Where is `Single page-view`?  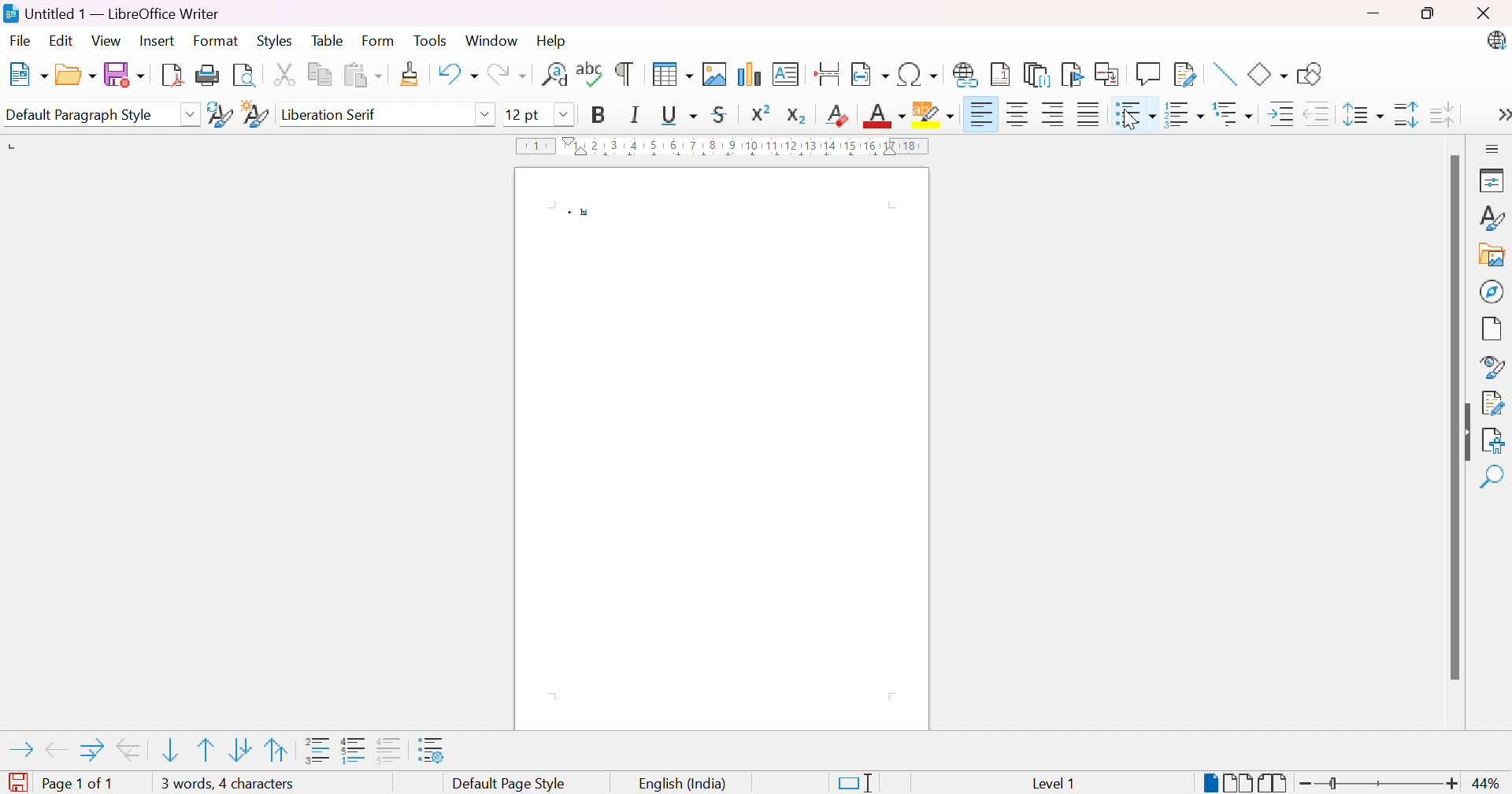 Single page-view is located at coordinates (1209, 784).